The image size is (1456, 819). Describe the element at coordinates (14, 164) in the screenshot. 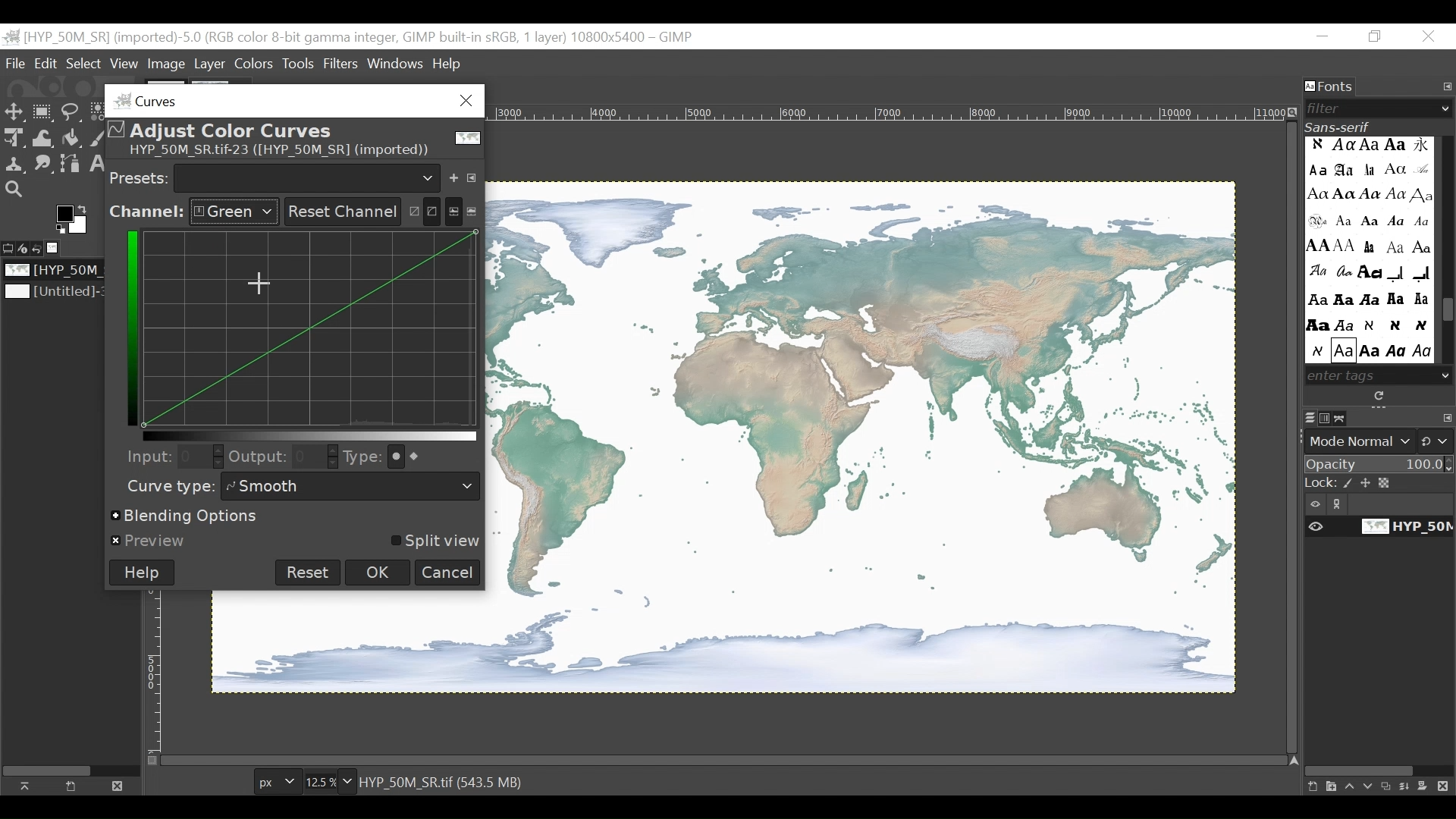

I see `Clone tool` at that location.